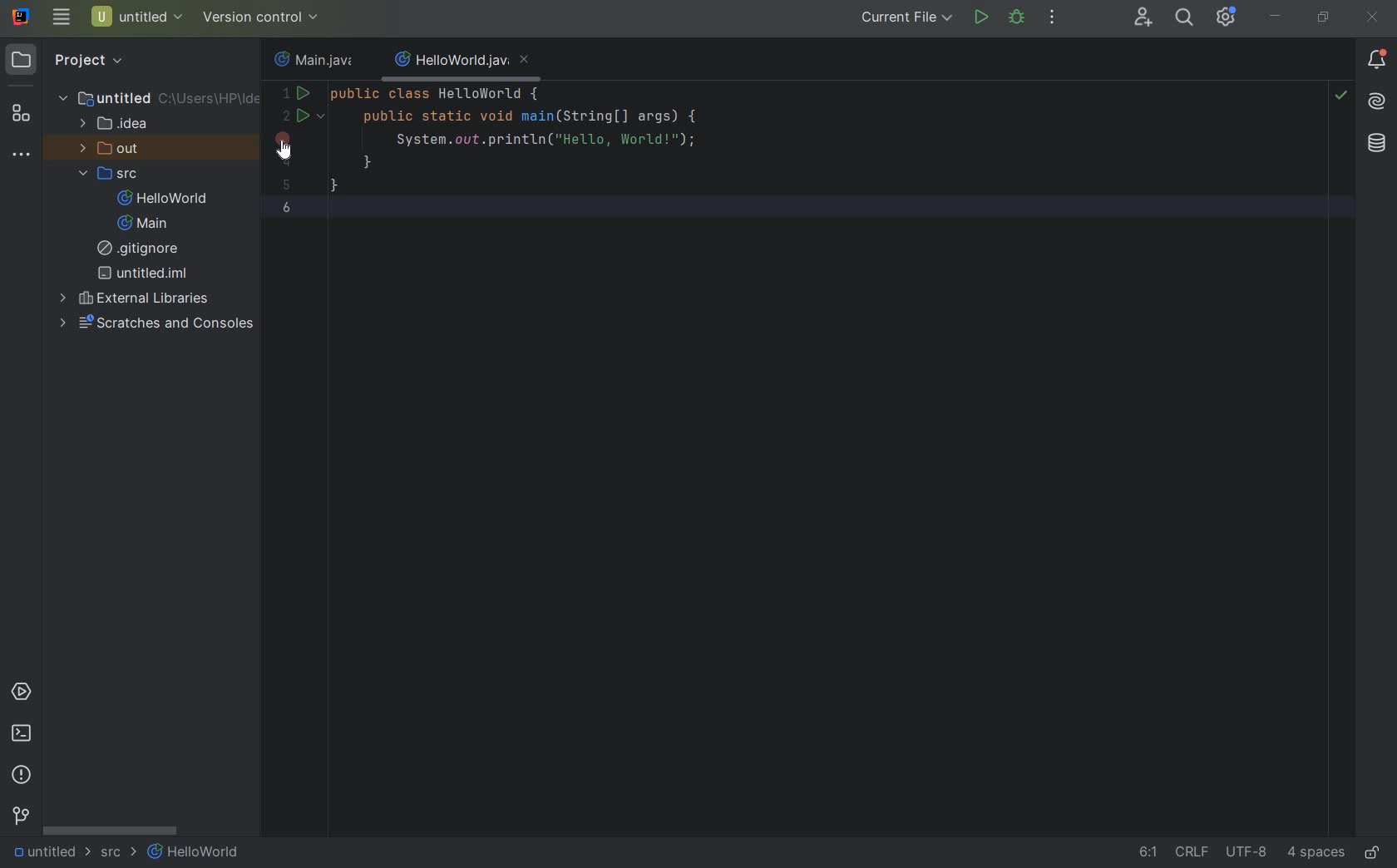  Describe the element at coordinates (22, 734) in the screenshot. I see `terminal` at that location.